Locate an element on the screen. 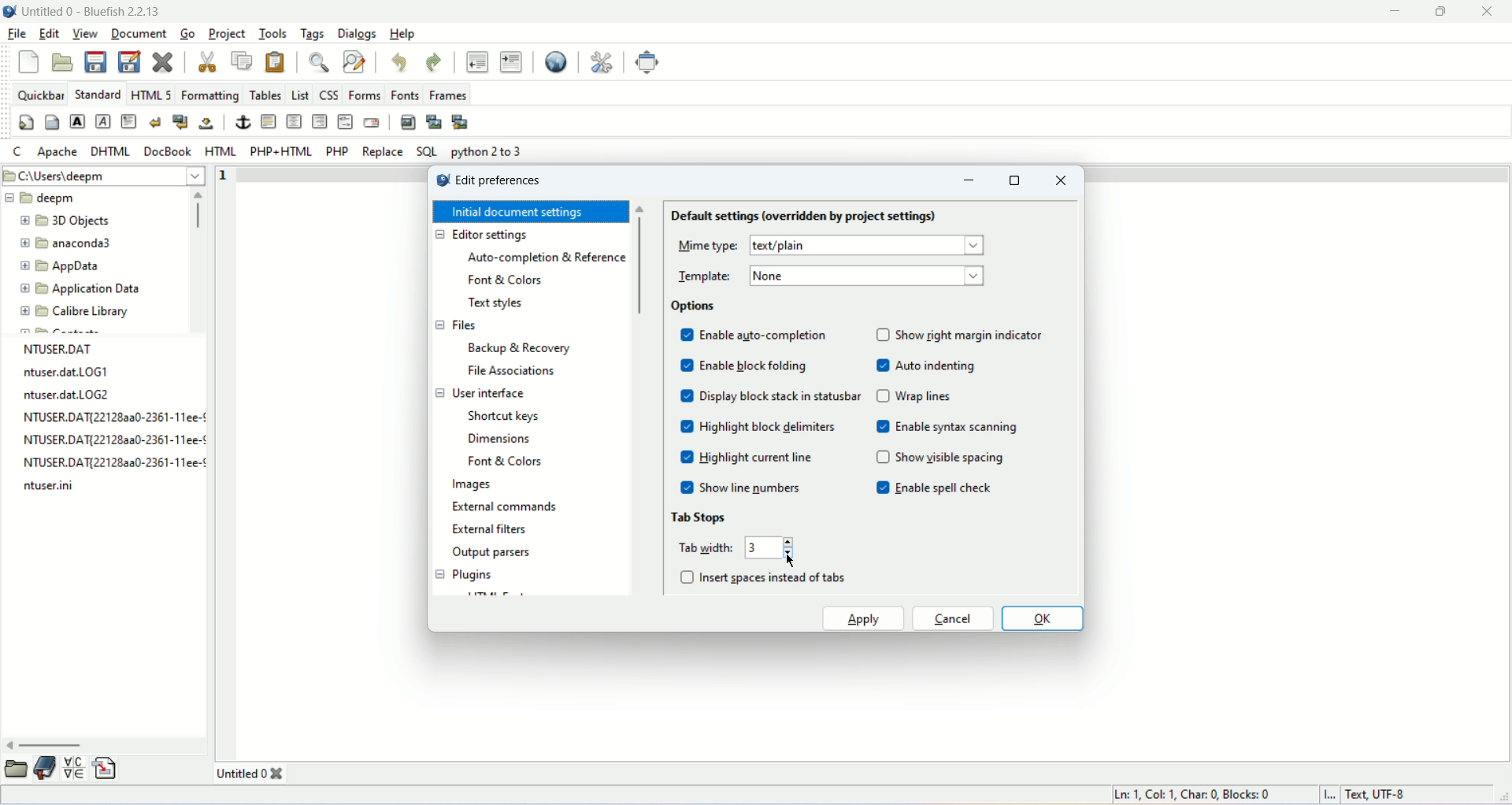 The image size is (1512, 805). cut is located at coordinates (207, 62).